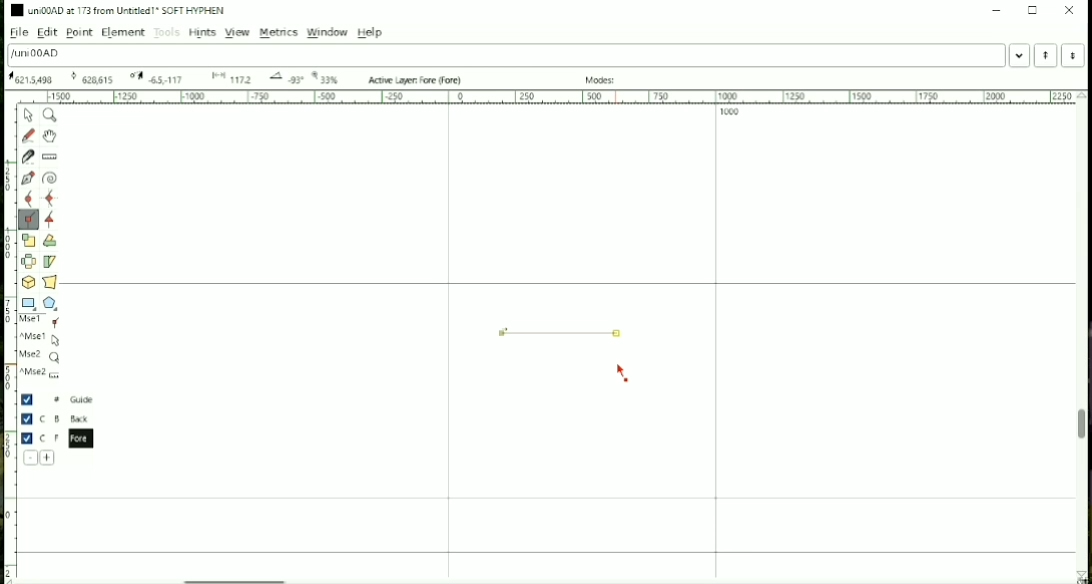  Describe the element at coordinates (328, 32) in the screenshot. I see `Window` at that location.